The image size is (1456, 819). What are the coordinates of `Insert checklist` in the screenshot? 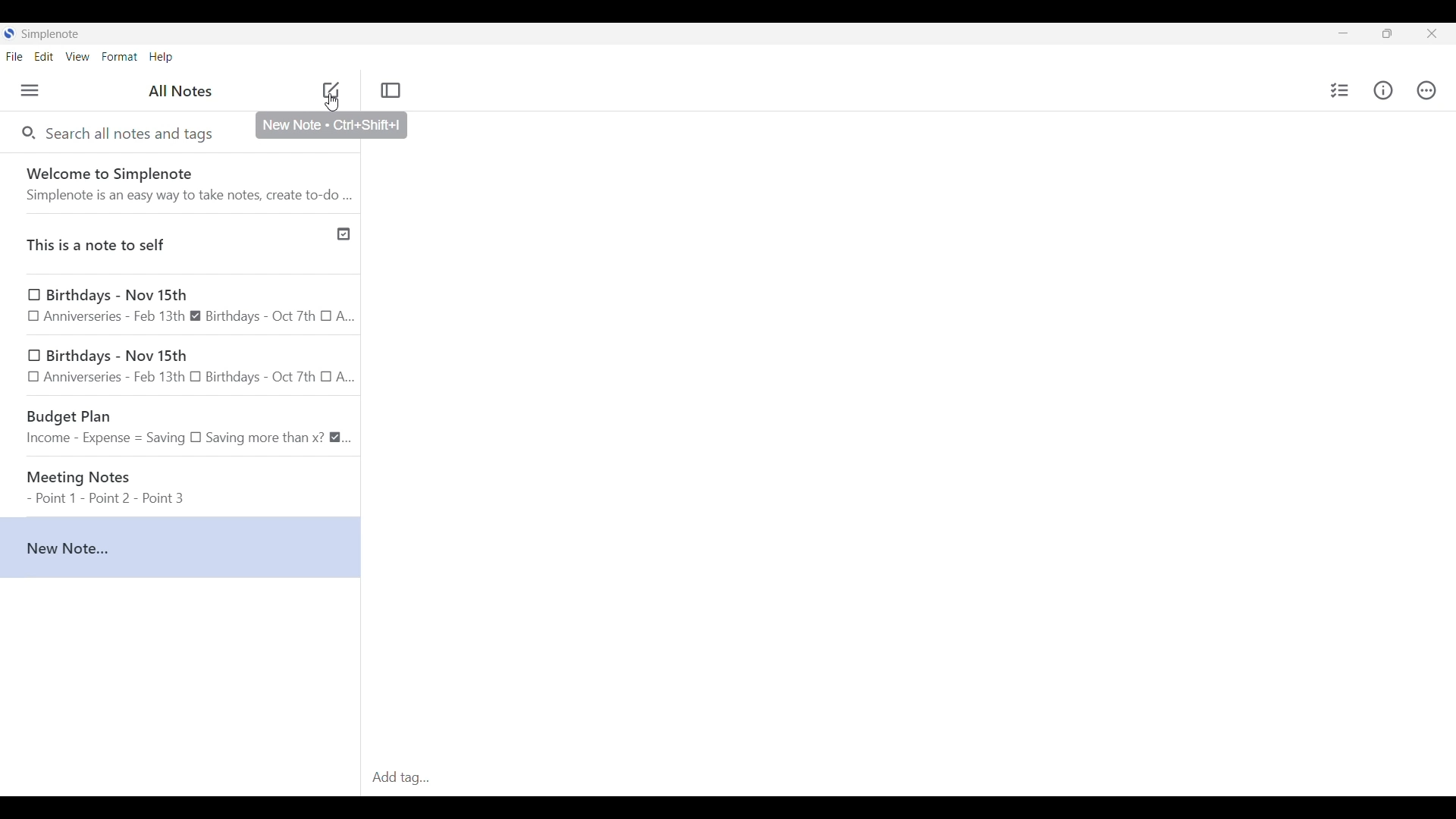 It's located at (1340, 90).